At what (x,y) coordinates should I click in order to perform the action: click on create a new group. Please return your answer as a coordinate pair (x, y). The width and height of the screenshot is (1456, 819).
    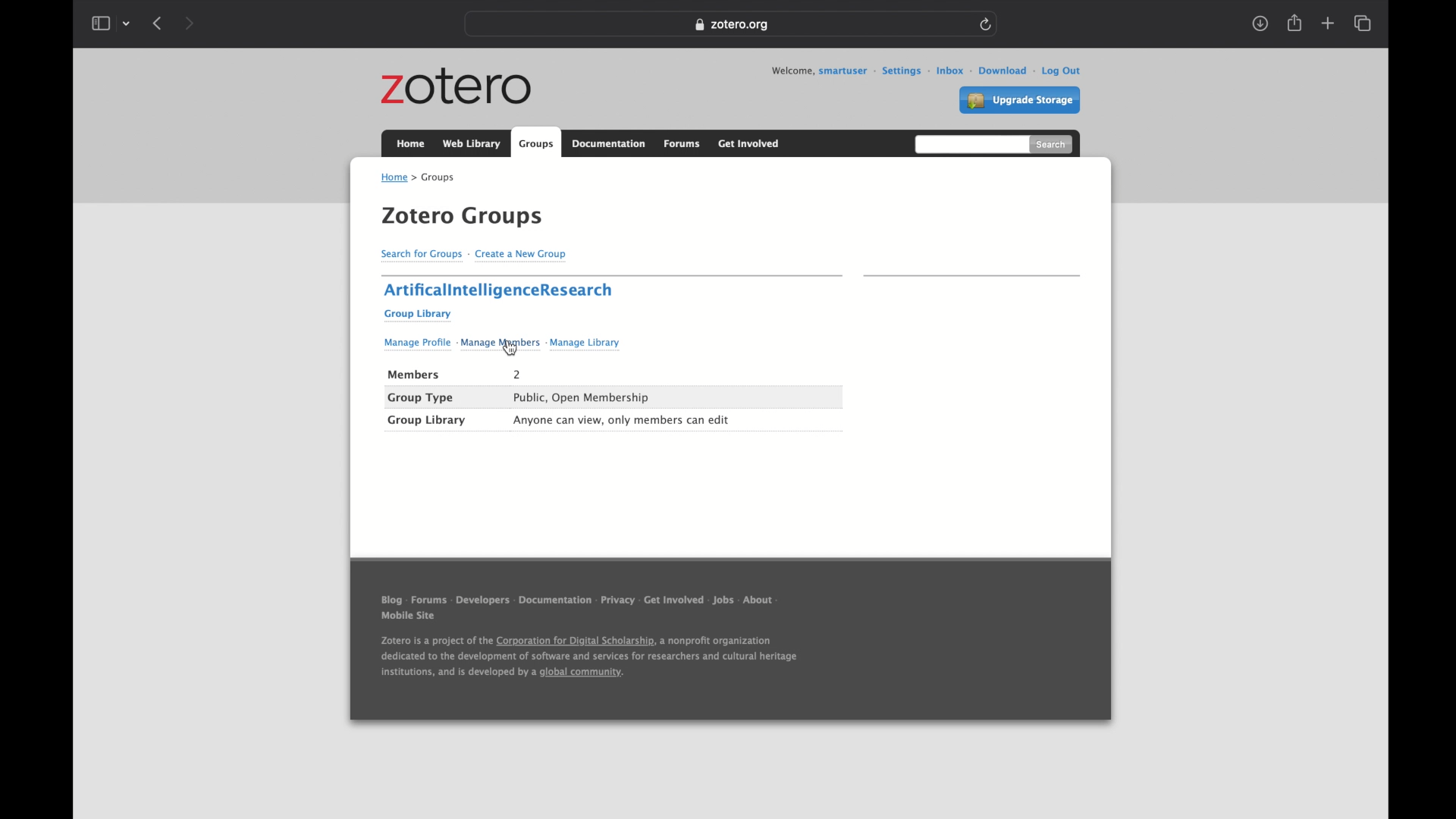
    Looking at the image, I should click on (523, 256).